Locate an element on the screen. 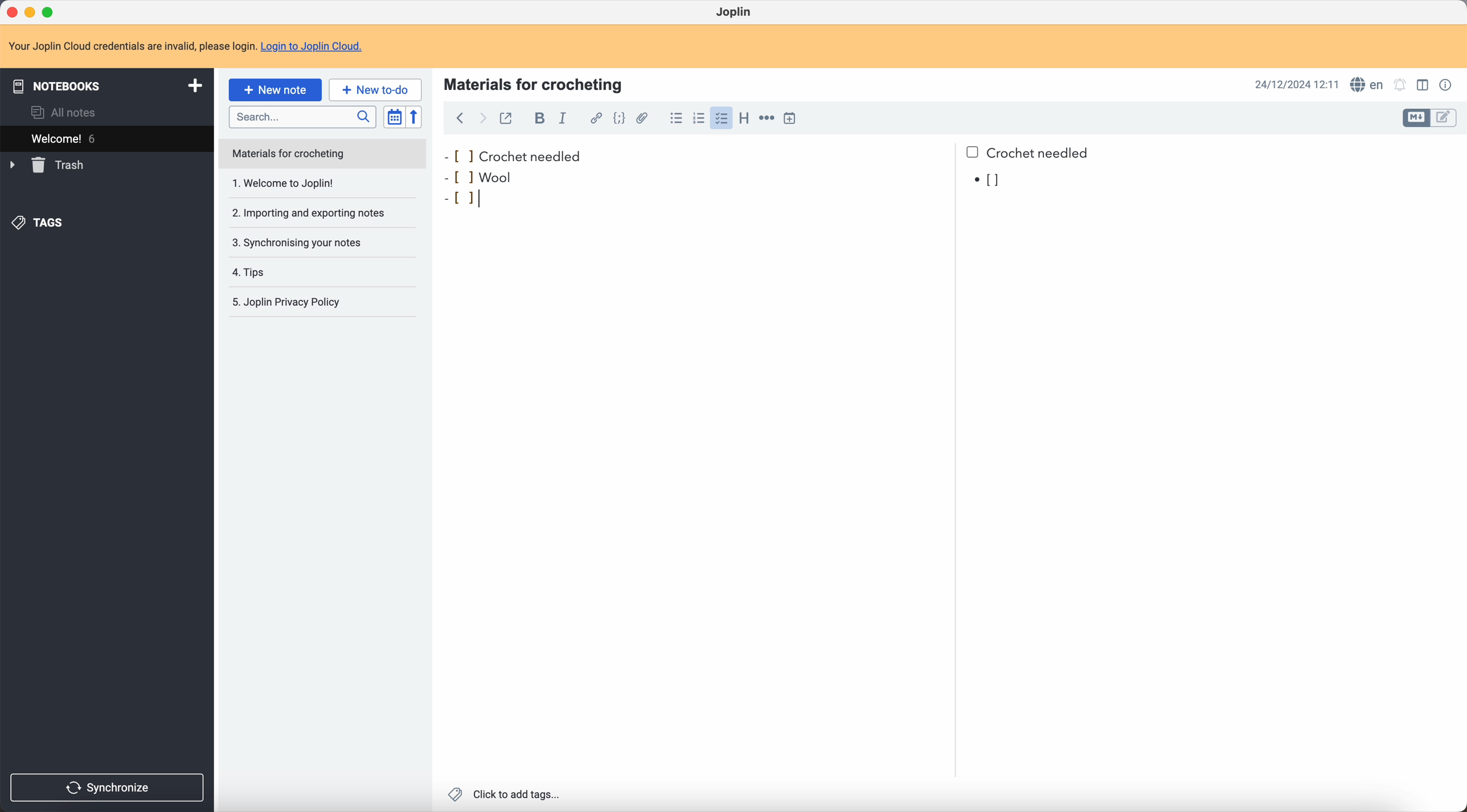  foward is located at coordinates (481, 120).